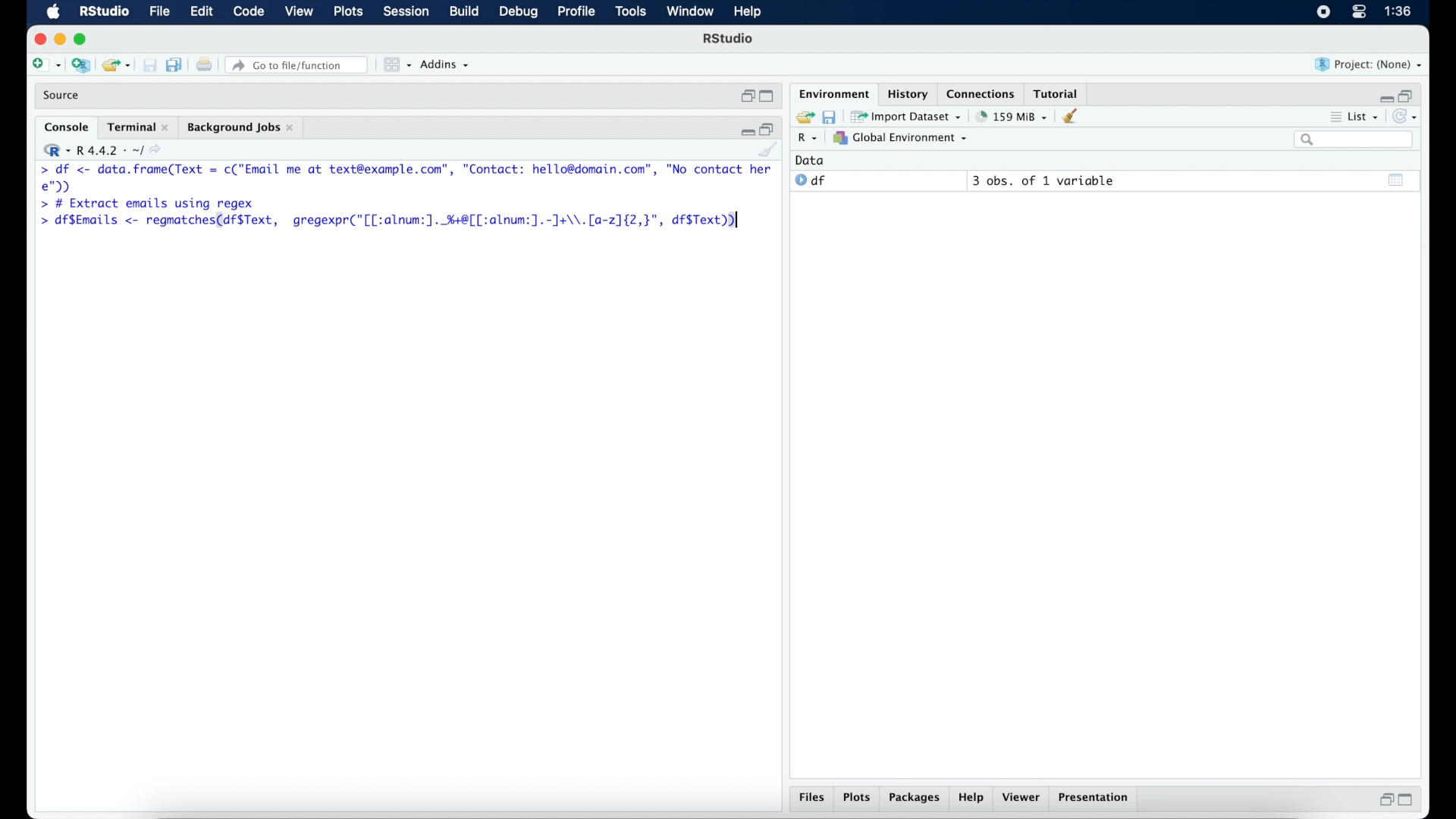 The width and height of the screenshot is (1456, 819). Describe the element at coordinates (1412, 96) in the screenshot. I see `restore down` at that location.